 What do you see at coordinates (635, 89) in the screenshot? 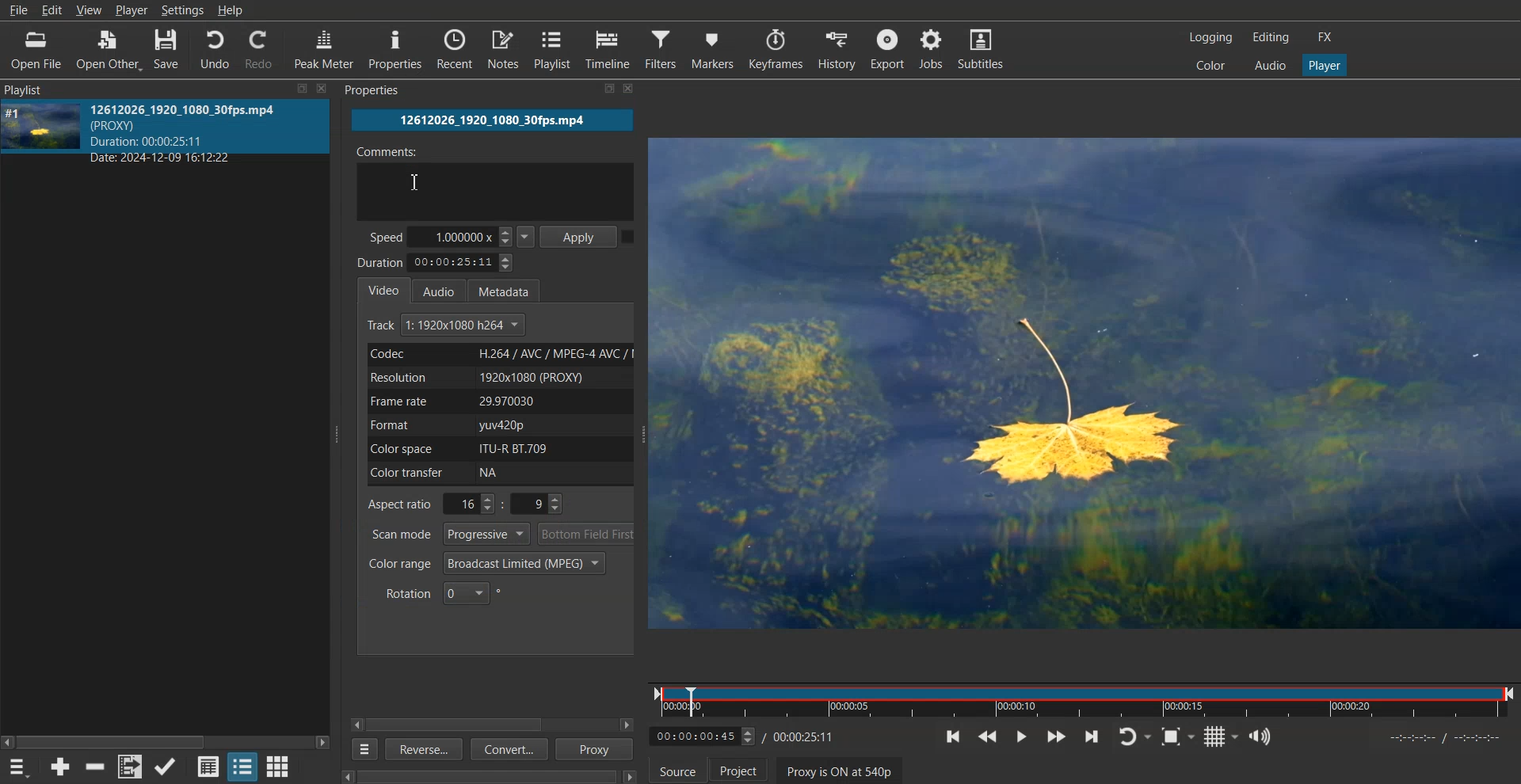
I see `close` at bounding box center [635, 89].